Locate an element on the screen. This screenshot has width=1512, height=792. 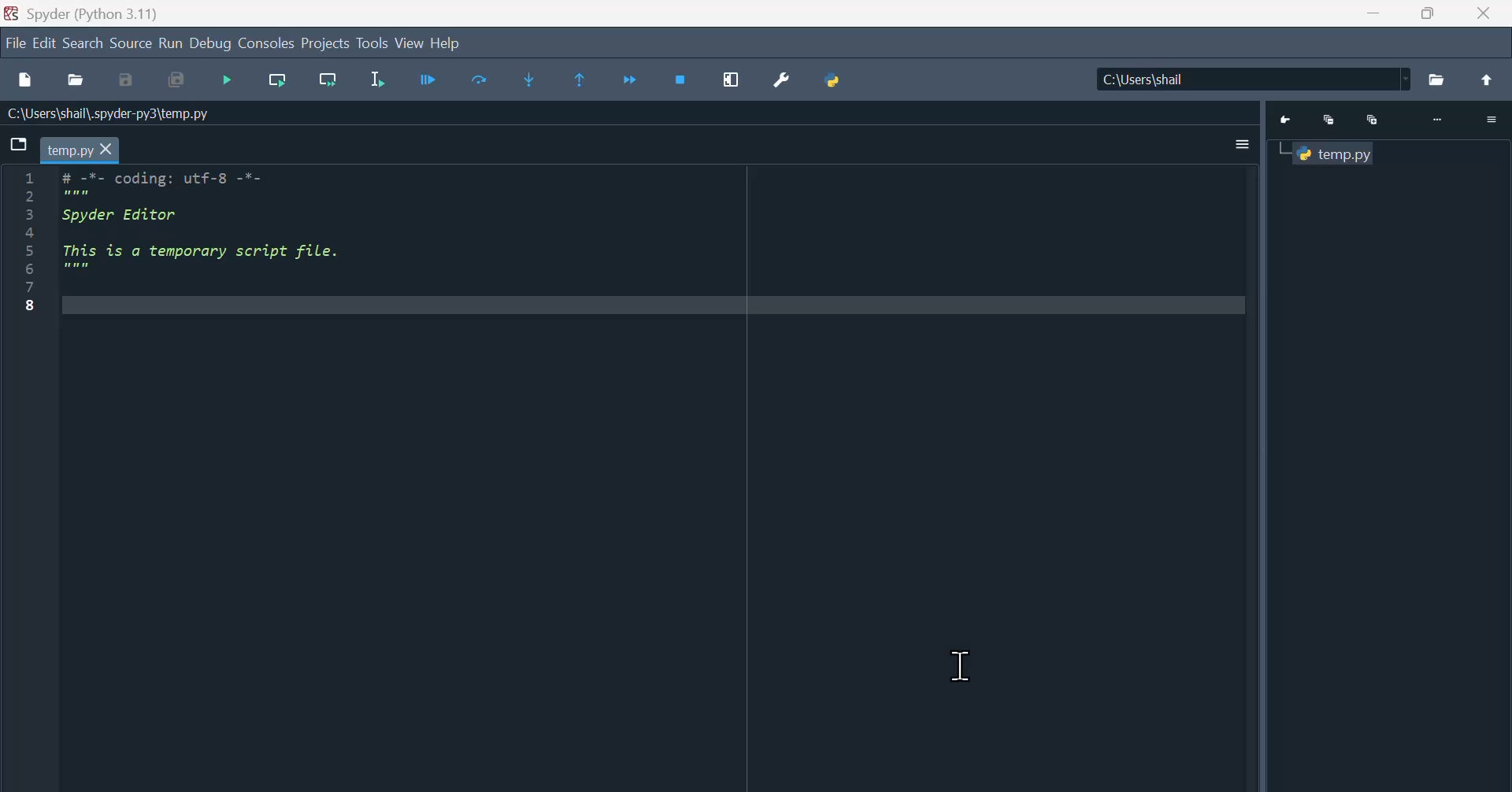
Text cursor is located at coordinates (962, 665).